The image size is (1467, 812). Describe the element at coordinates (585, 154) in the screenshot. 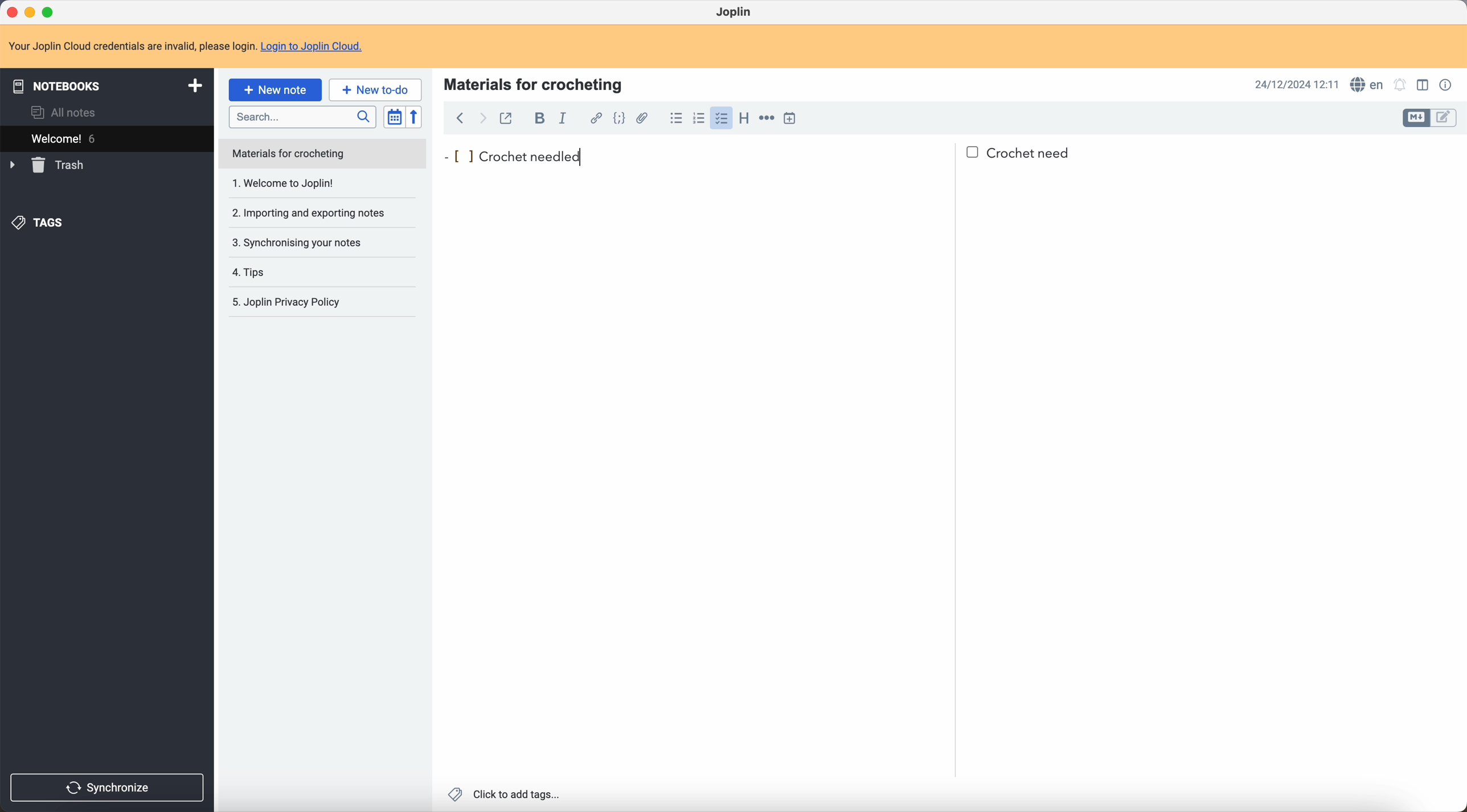

I see `cursor` at that location.